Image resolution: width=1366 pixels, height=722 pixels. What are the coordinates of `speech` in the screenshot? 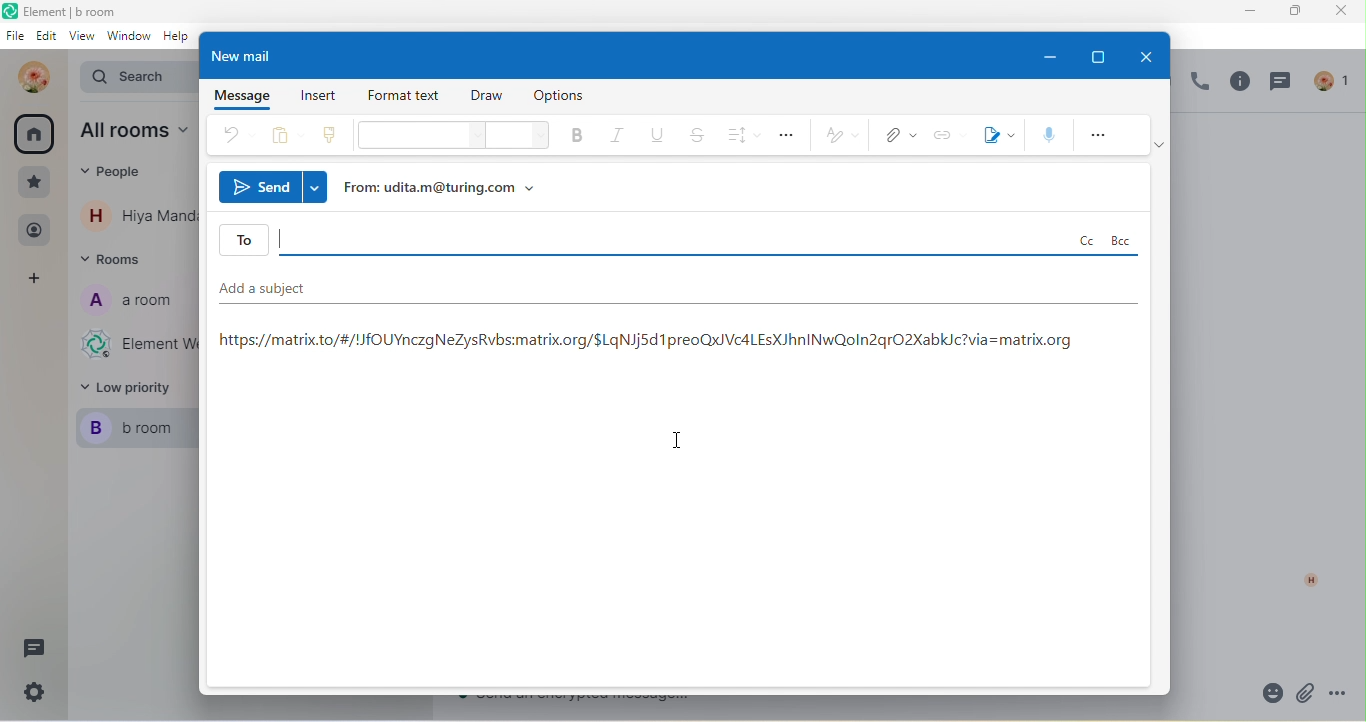 It's located at (1046, 135).